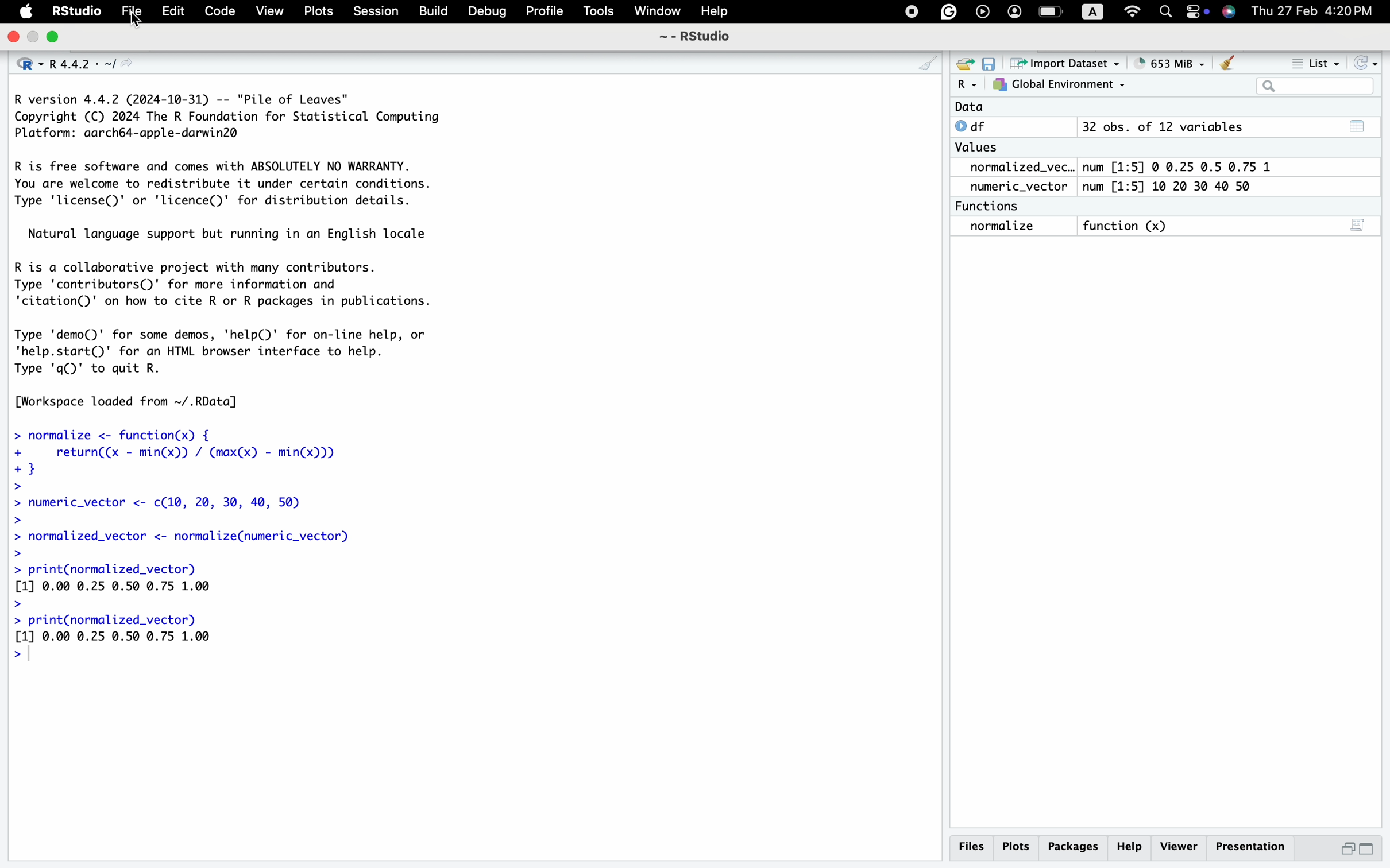 This screenshot has width=1390, height=868. I want to click on Sessions, so click(377, 13).